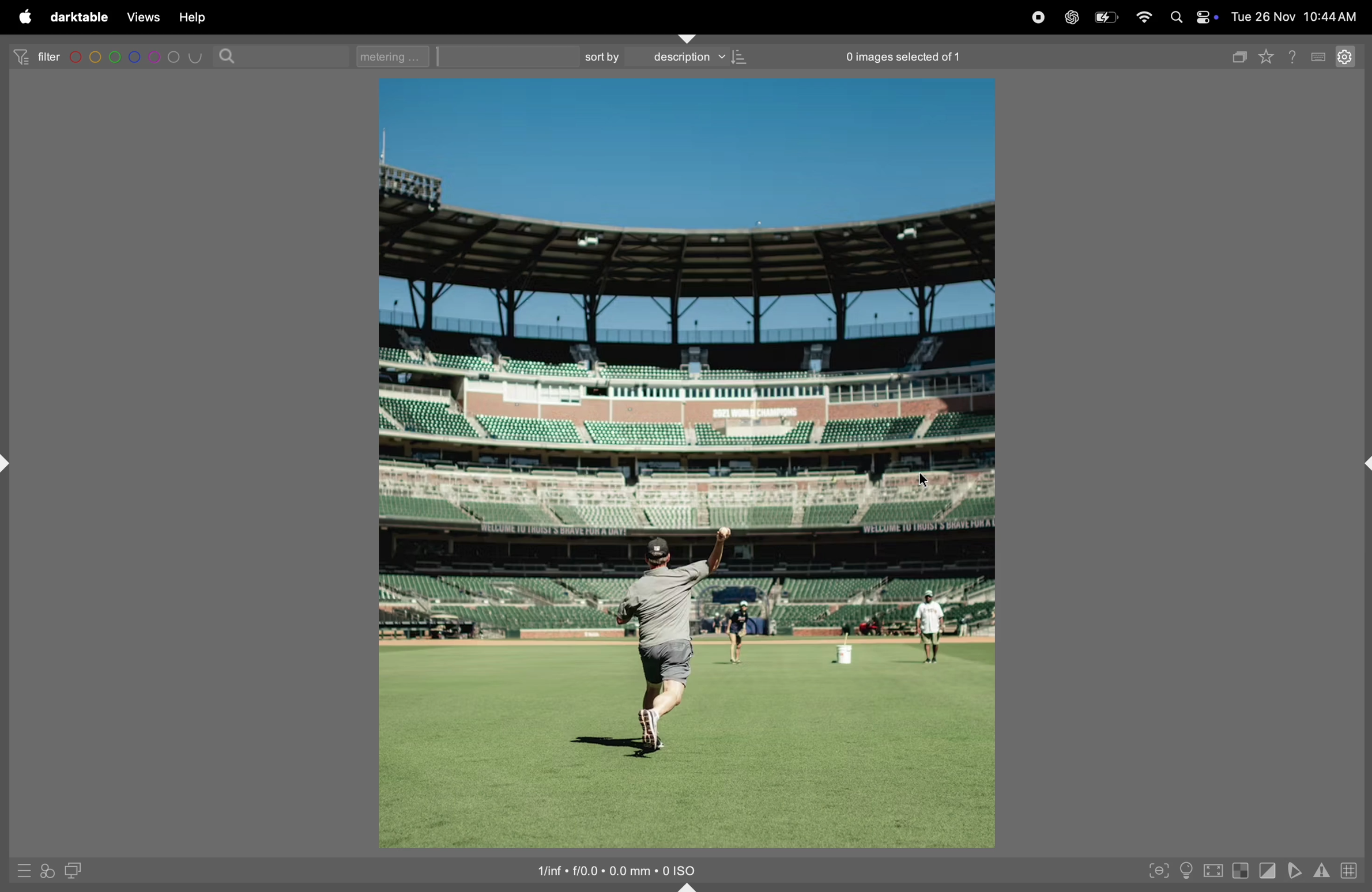  What do you see at coordinates (81, 17) in the screenshot?
I see `darrktable` at bounding box center [81, 17].